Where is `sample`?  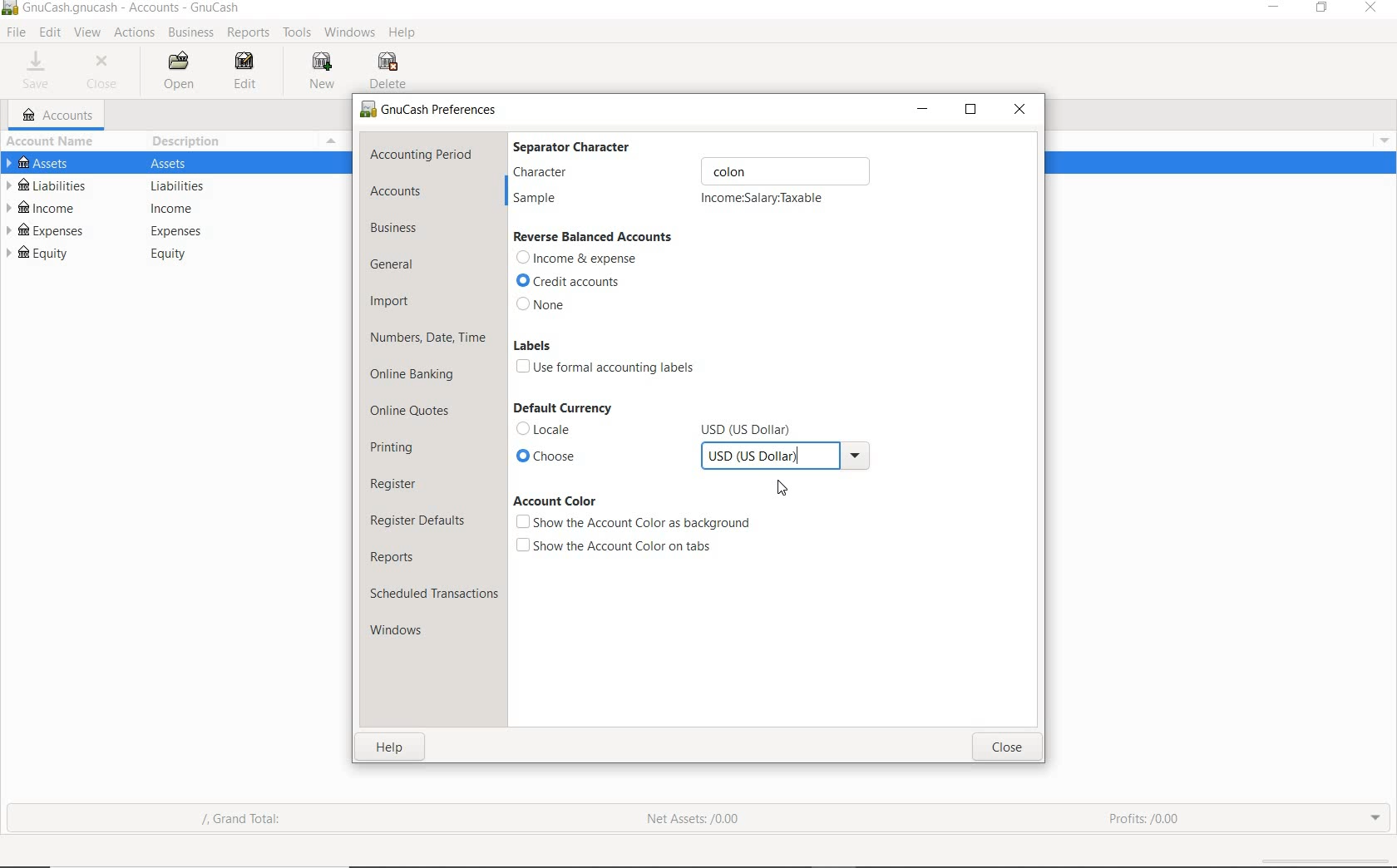
sample is located at coordinates (541, 200).